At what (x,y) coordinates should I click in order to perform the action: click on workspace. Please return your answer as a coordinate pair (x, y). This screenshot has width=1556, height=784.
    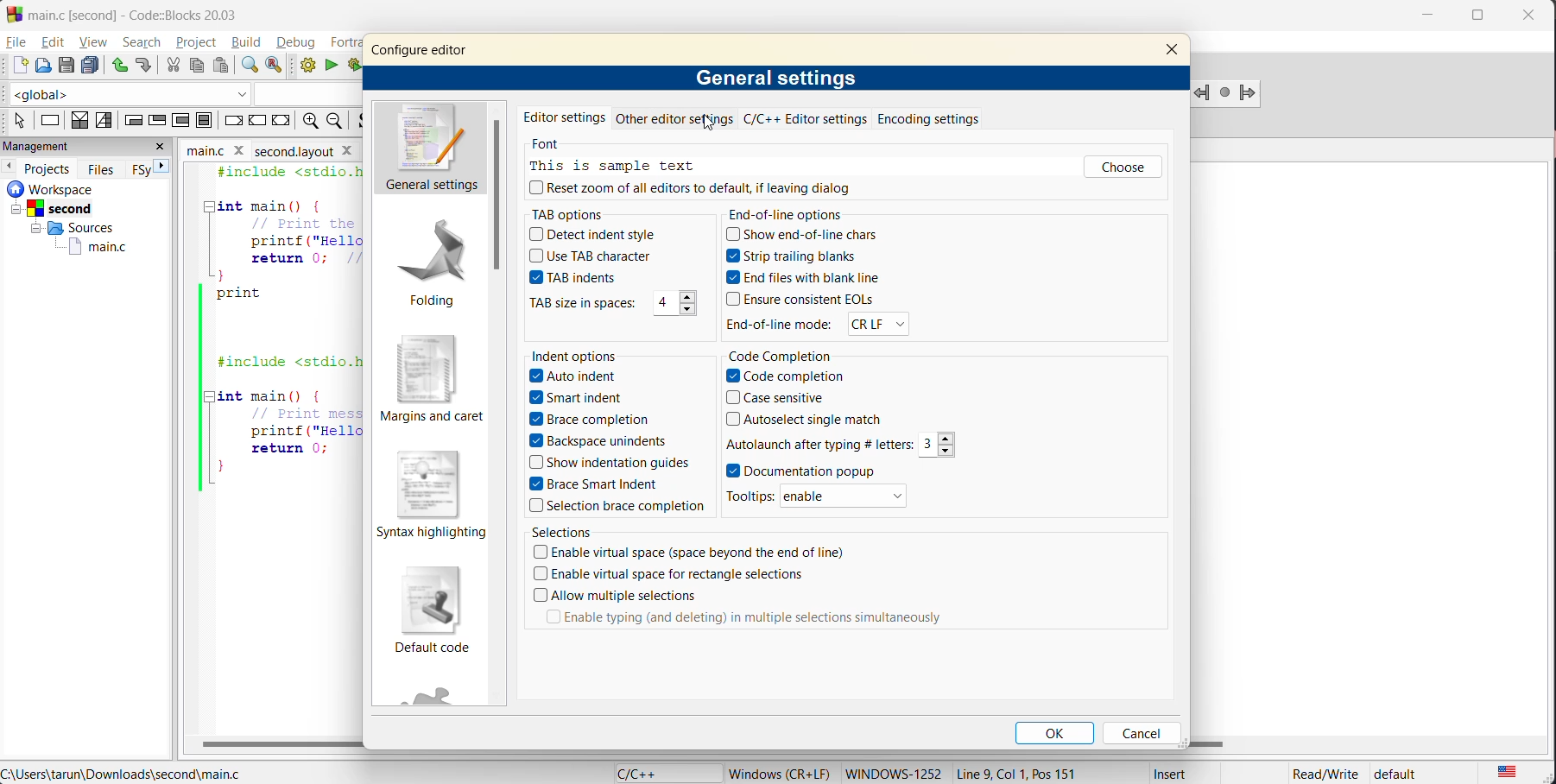
    Looking at the image, I should click on (78, 188).